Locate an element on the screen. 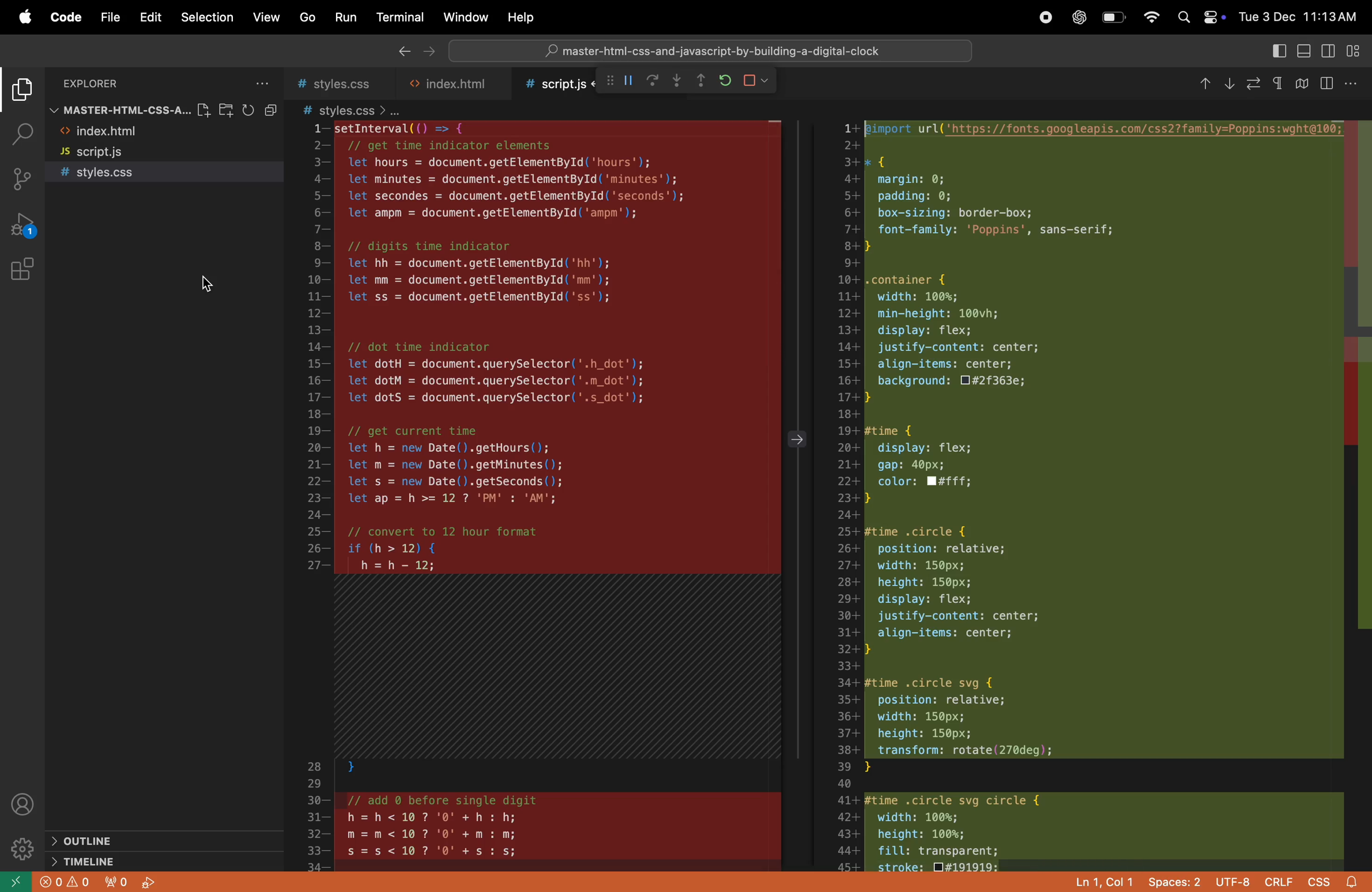 This screenshot has height=892, width=1372. search bar is located at coordinates (710, 47).